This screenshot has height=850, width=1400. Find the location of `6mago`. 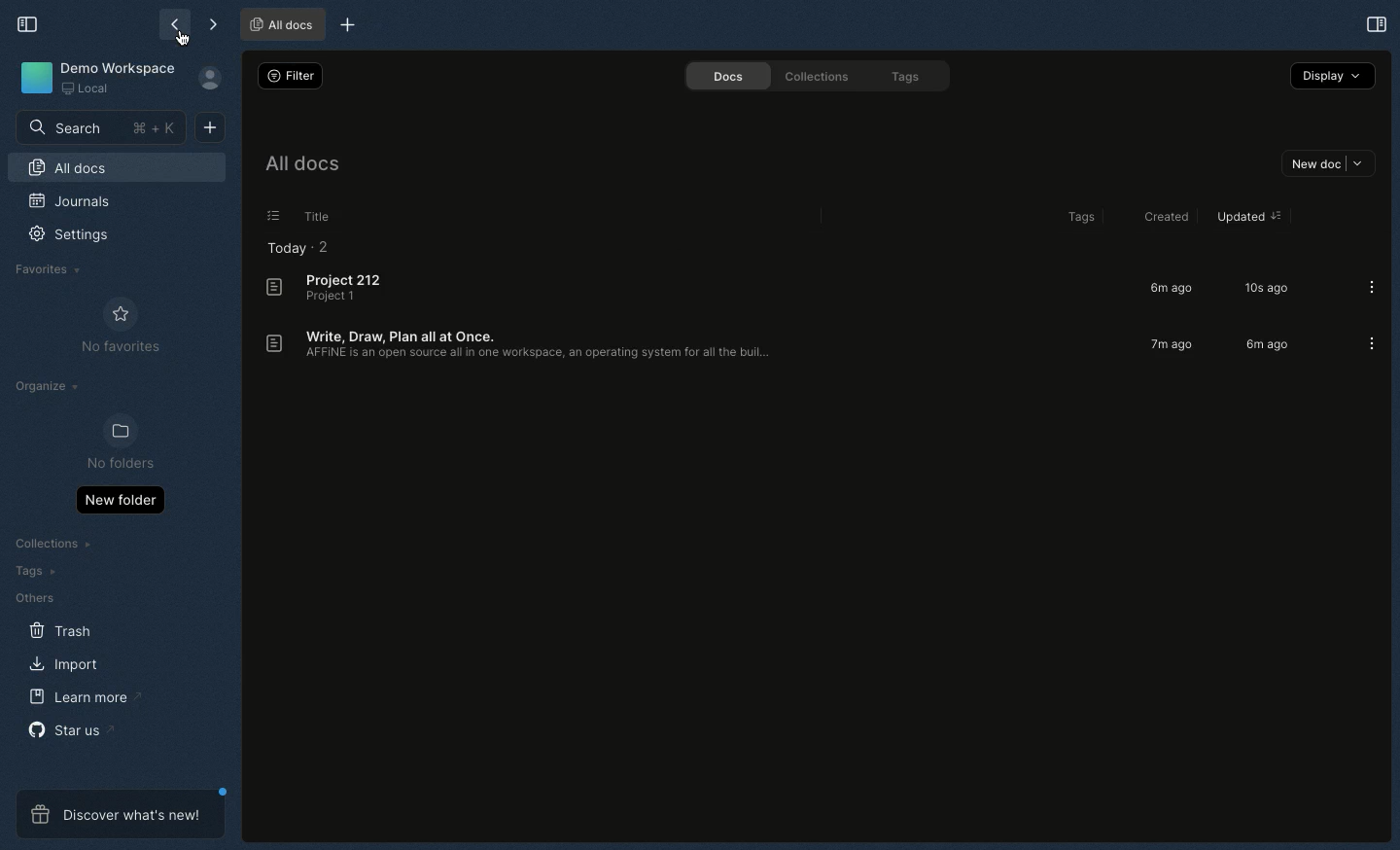

6mago is located at coordinates (1166, 284).